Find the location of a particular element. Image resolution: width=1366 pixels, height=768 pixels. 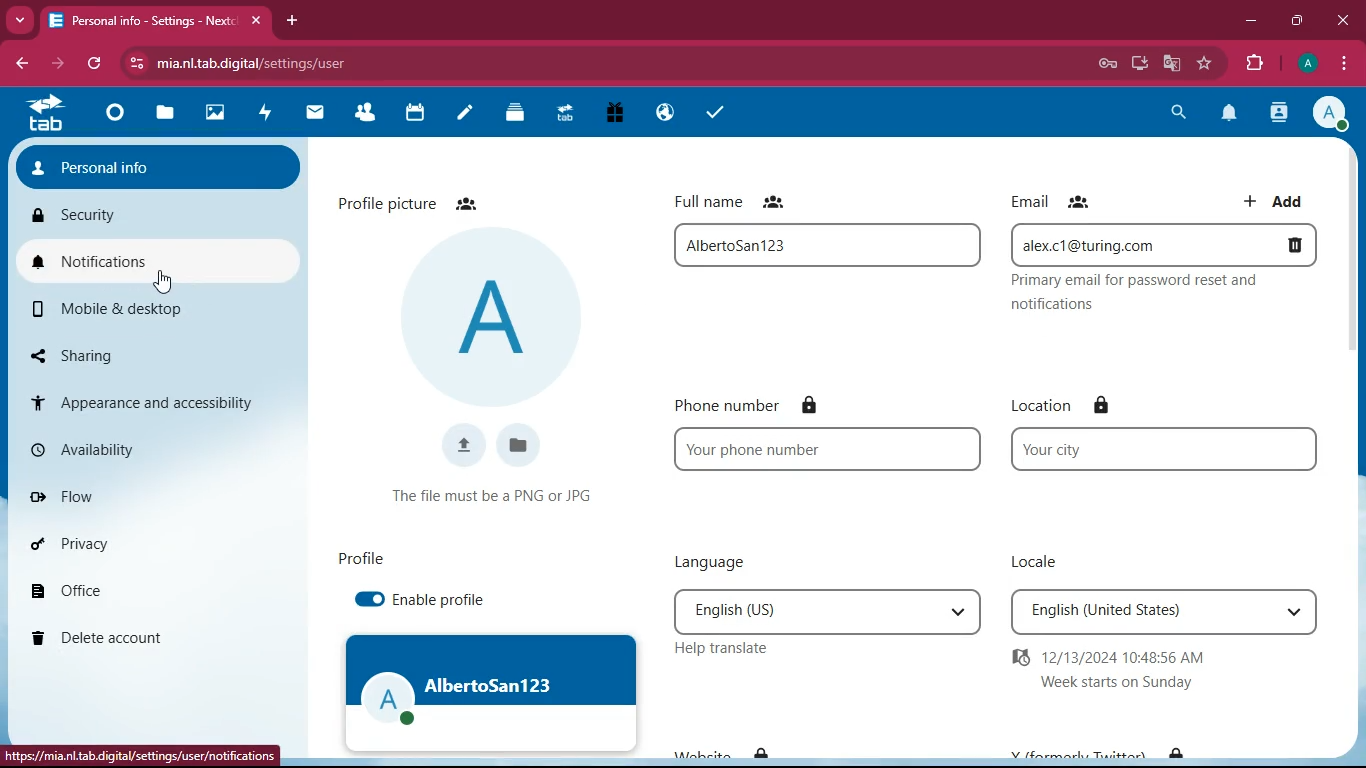

Lock is located at coordinates (820, 404).